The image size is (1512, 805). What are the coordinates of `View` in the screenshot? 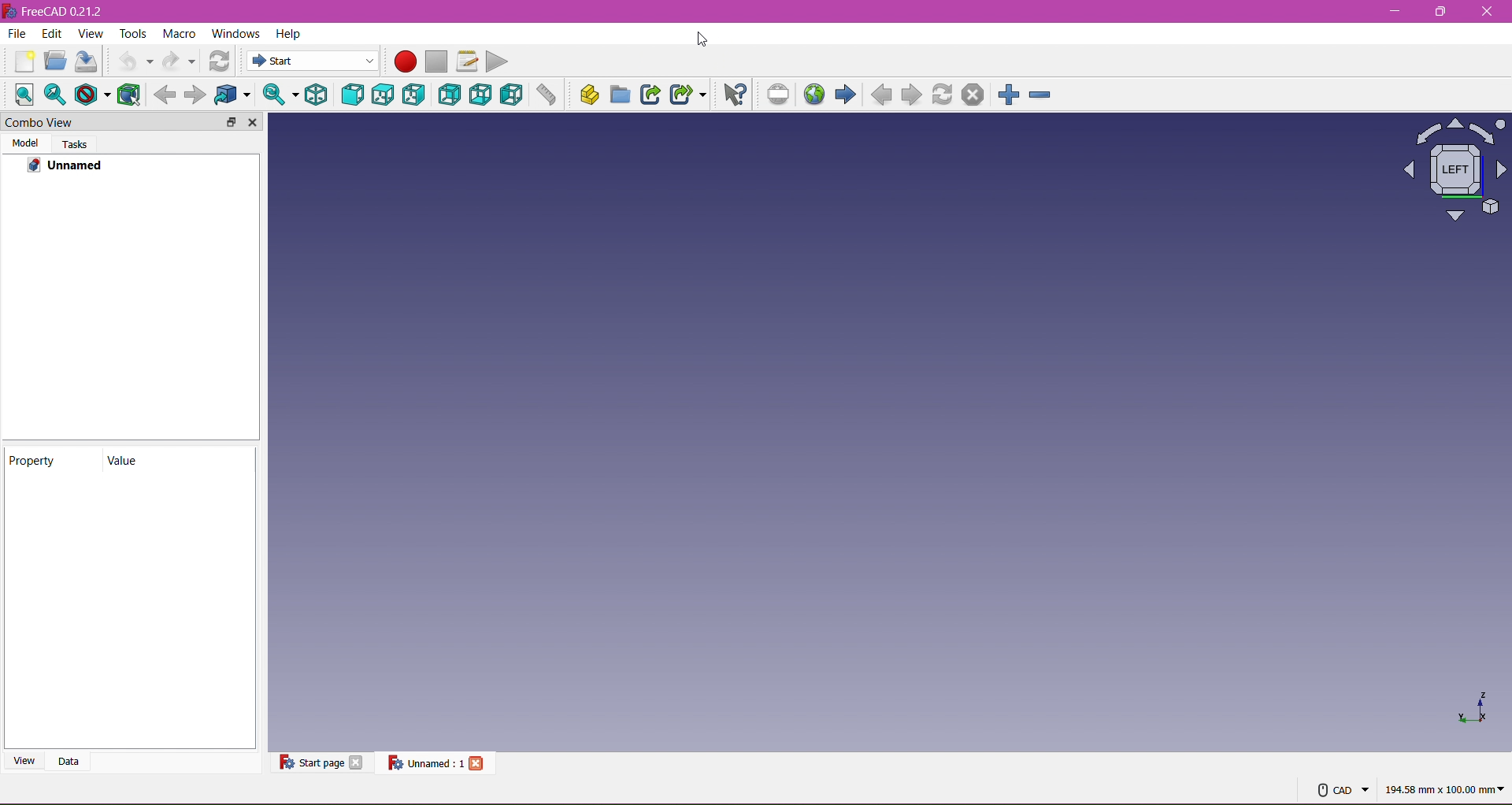 It's located at (24, 759).